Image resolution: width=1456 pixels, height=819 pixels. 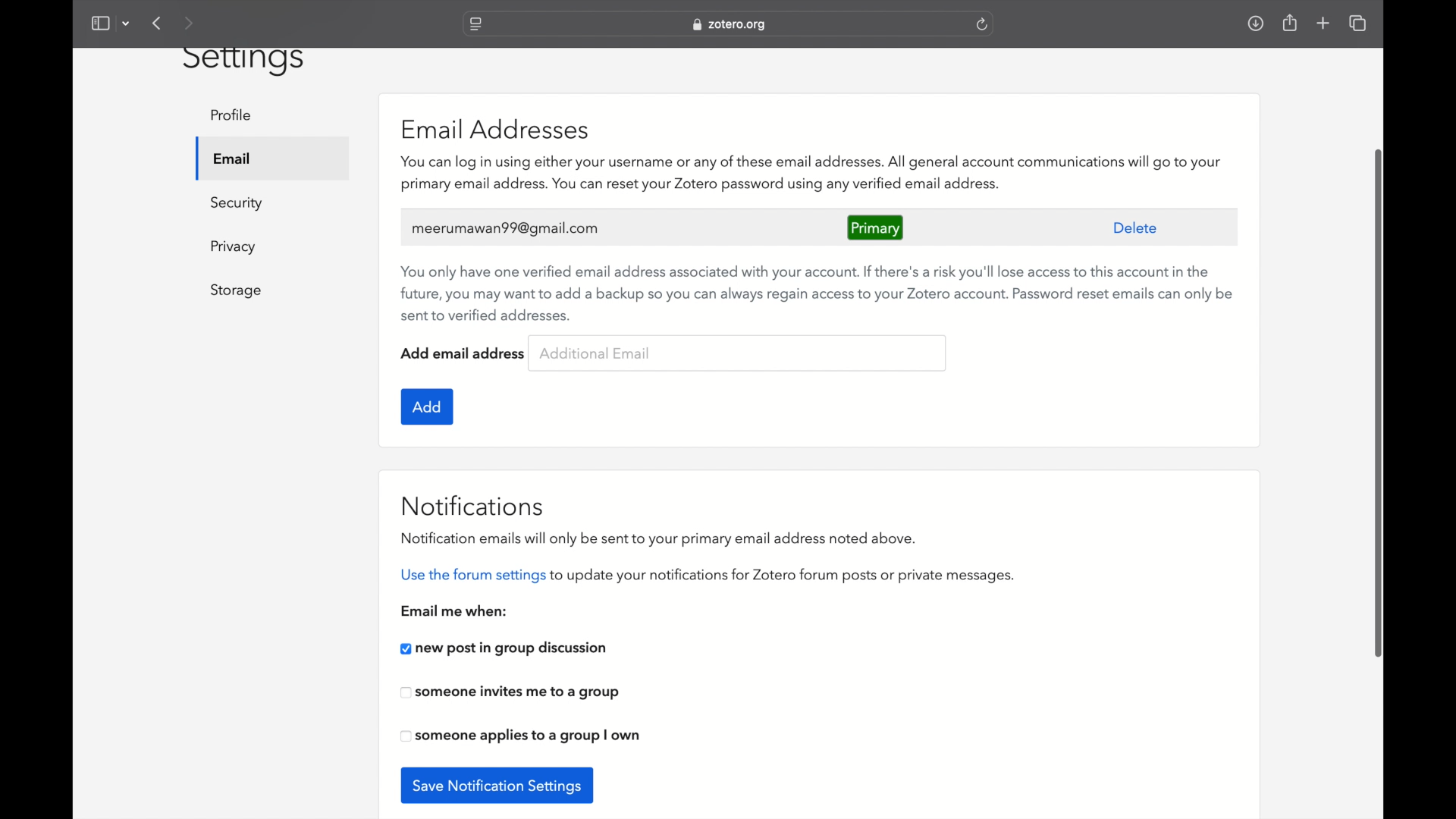 I want to click on privacy, so click(x=233, y=247).